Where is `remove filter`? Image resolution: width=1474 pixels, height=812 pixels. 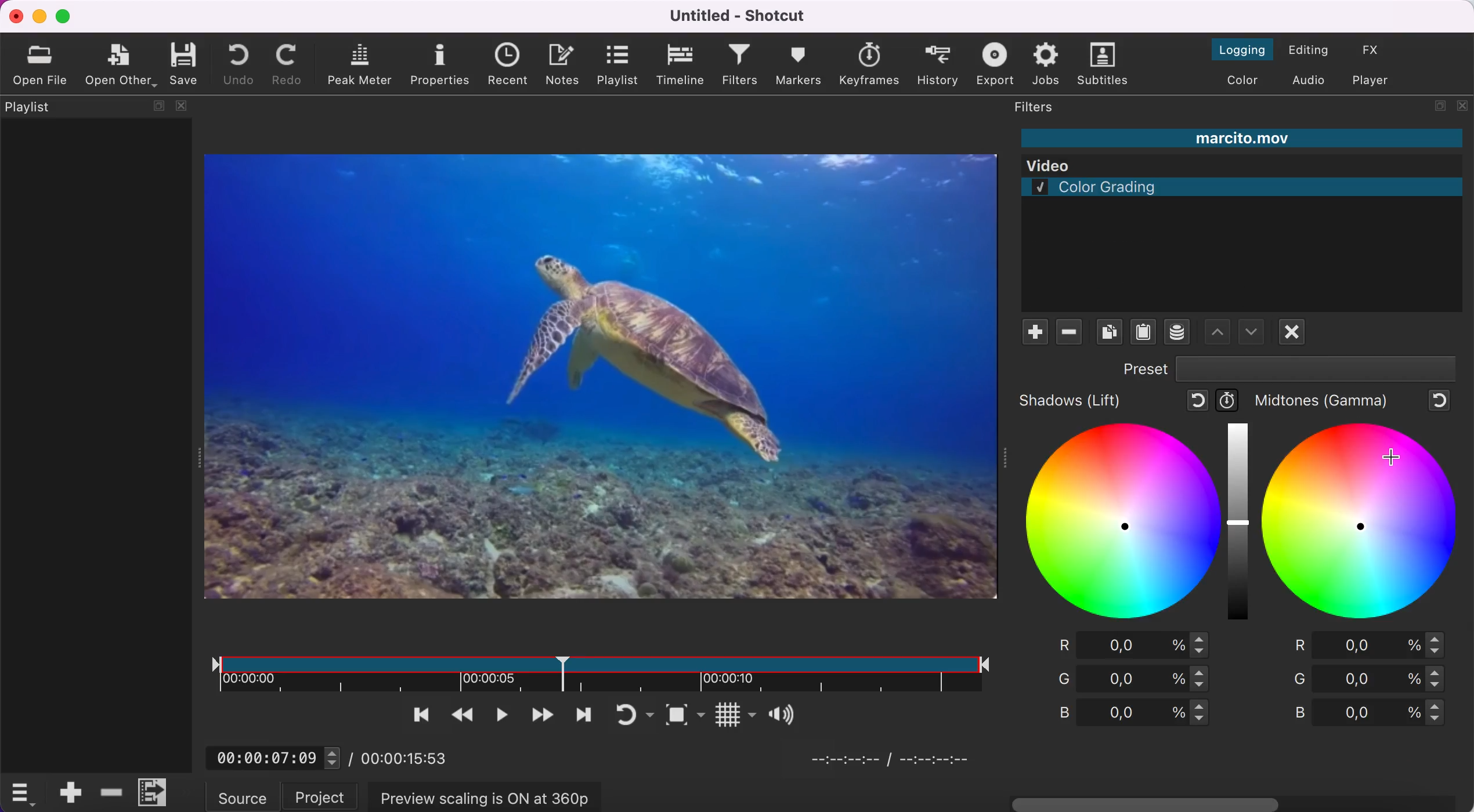
remove filter is located at coordinates (1072, 333).